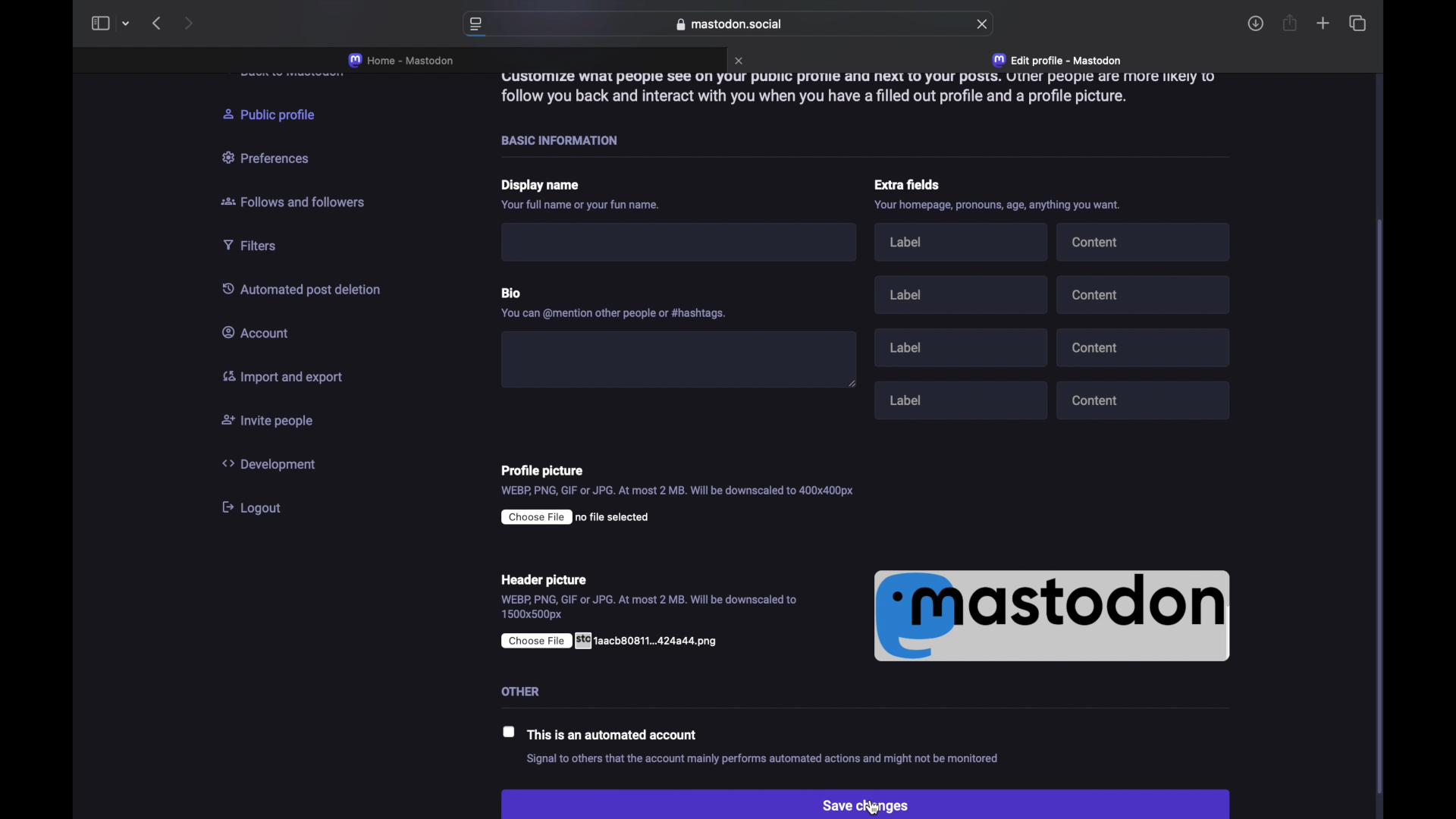  Describe the element at coordinates (1145, 345) in the screenshot. I see `content` at that location.